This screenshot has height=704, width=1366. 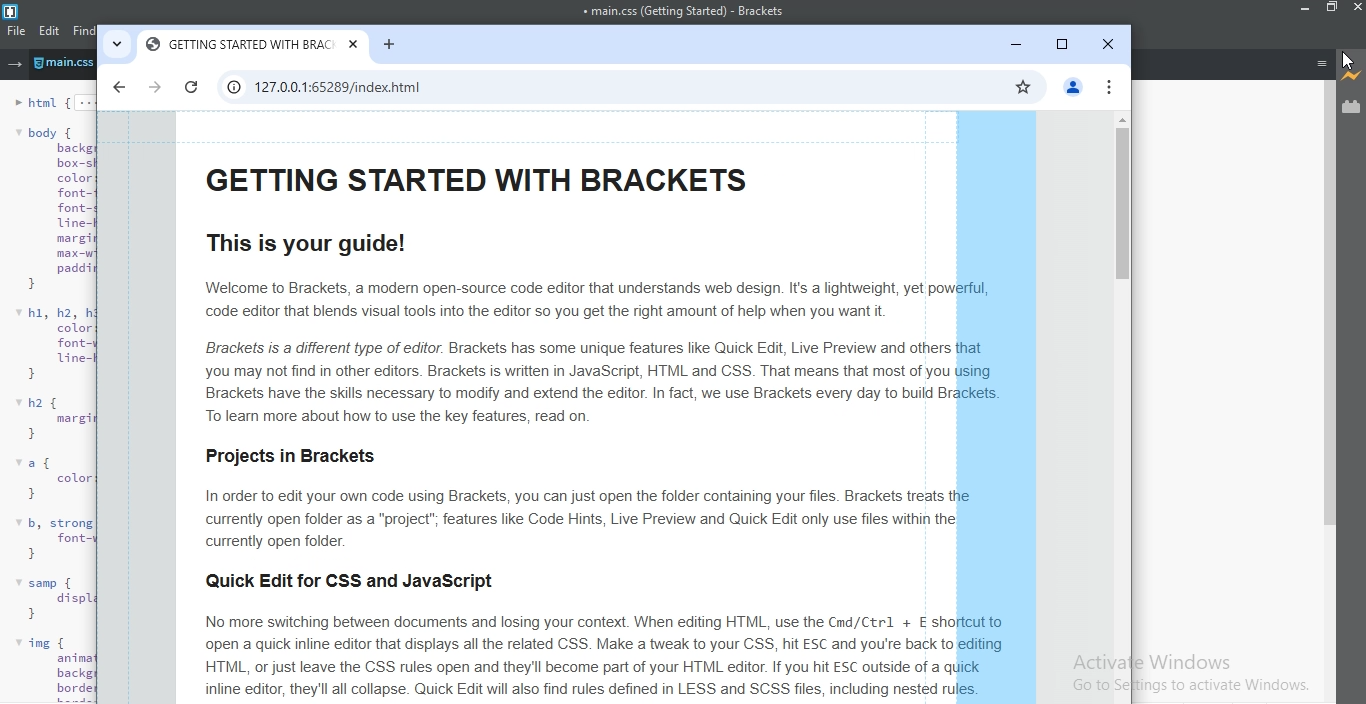 I want to click on minimise, so click(x=1302, y=10).